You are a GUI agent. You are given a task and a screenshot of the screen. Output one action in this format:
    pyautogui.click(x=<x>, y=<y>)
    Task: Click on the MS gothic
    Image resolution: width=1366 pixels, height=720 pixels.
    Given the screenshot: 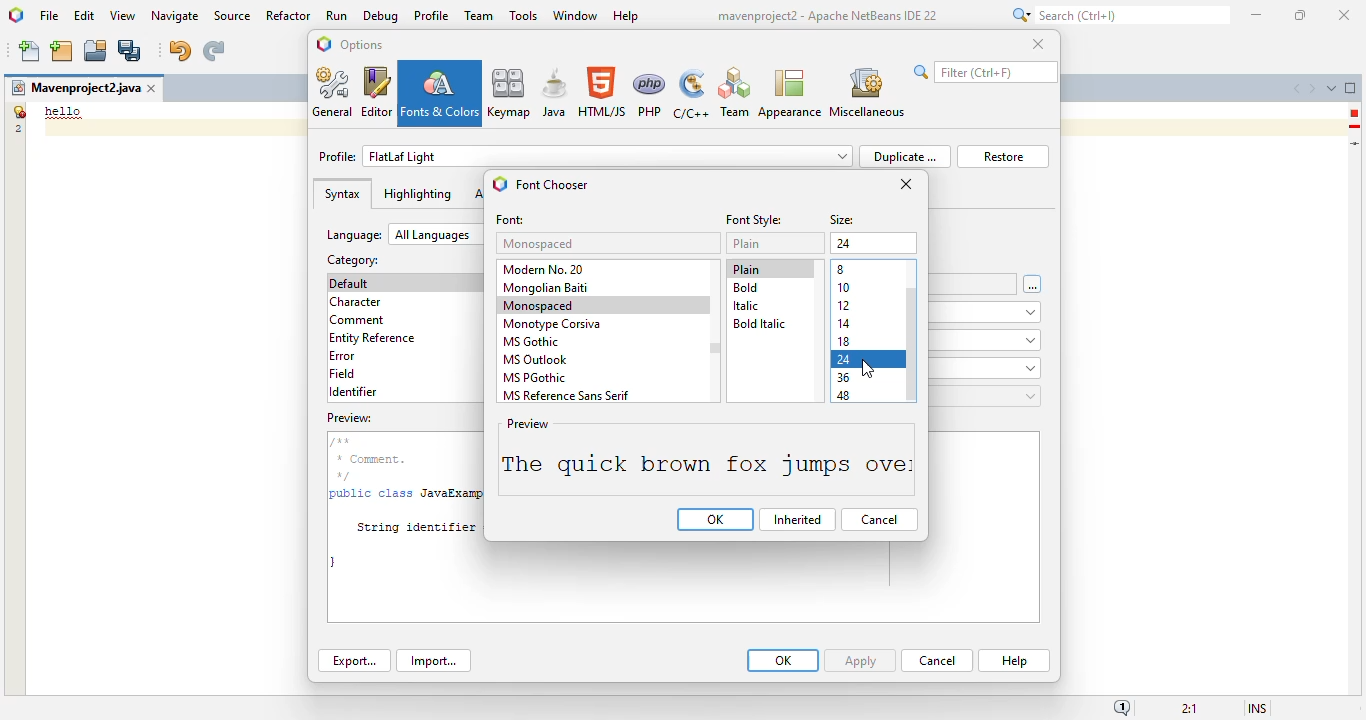 What is the action you would take?
    pyautogui.click(x=530, y=341)
    